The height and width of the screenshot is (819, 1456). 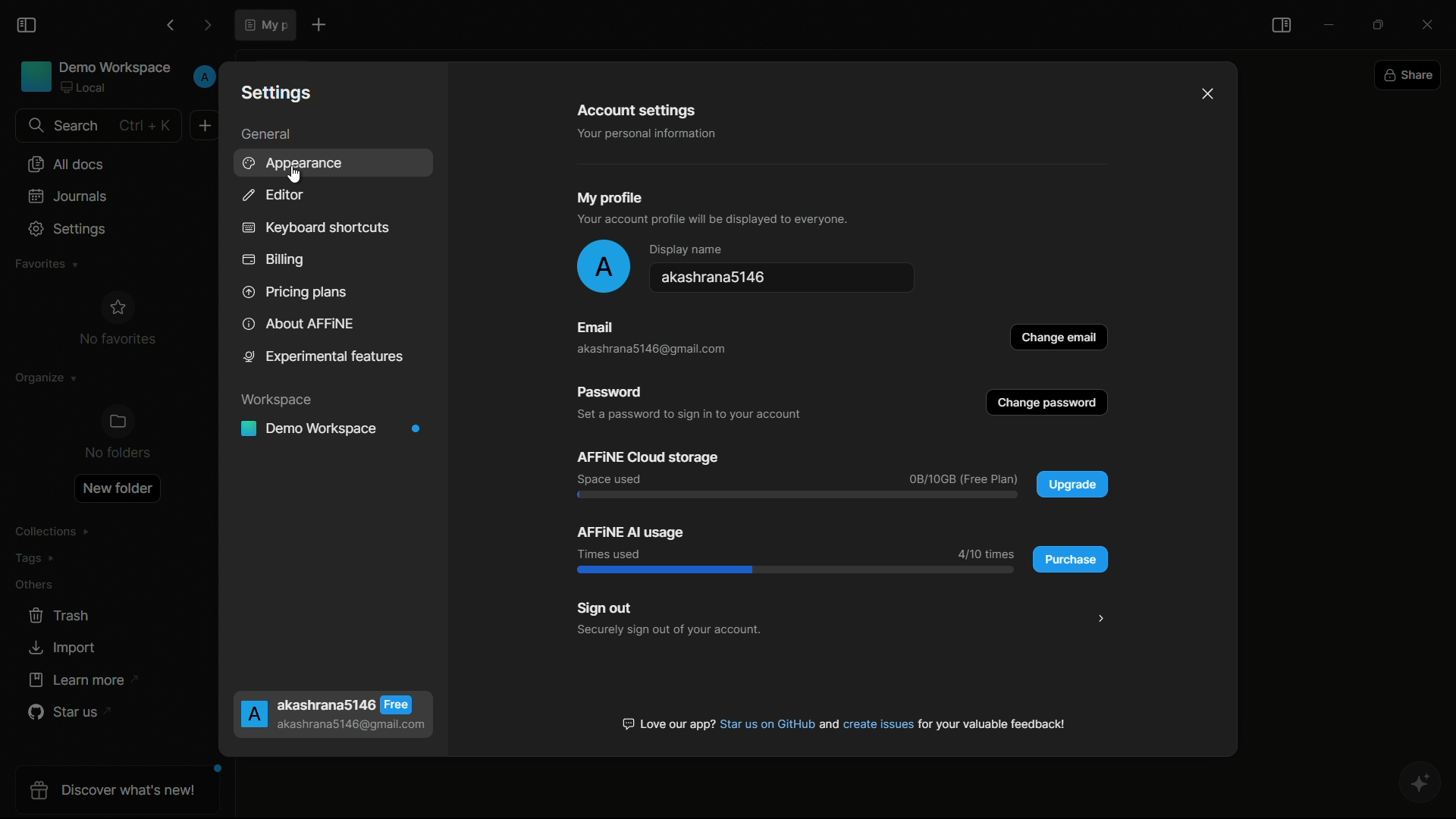 What do you see at coordinates (265, 24) in the screenshot?
I see `document tab` at bounding box center [265, 24].